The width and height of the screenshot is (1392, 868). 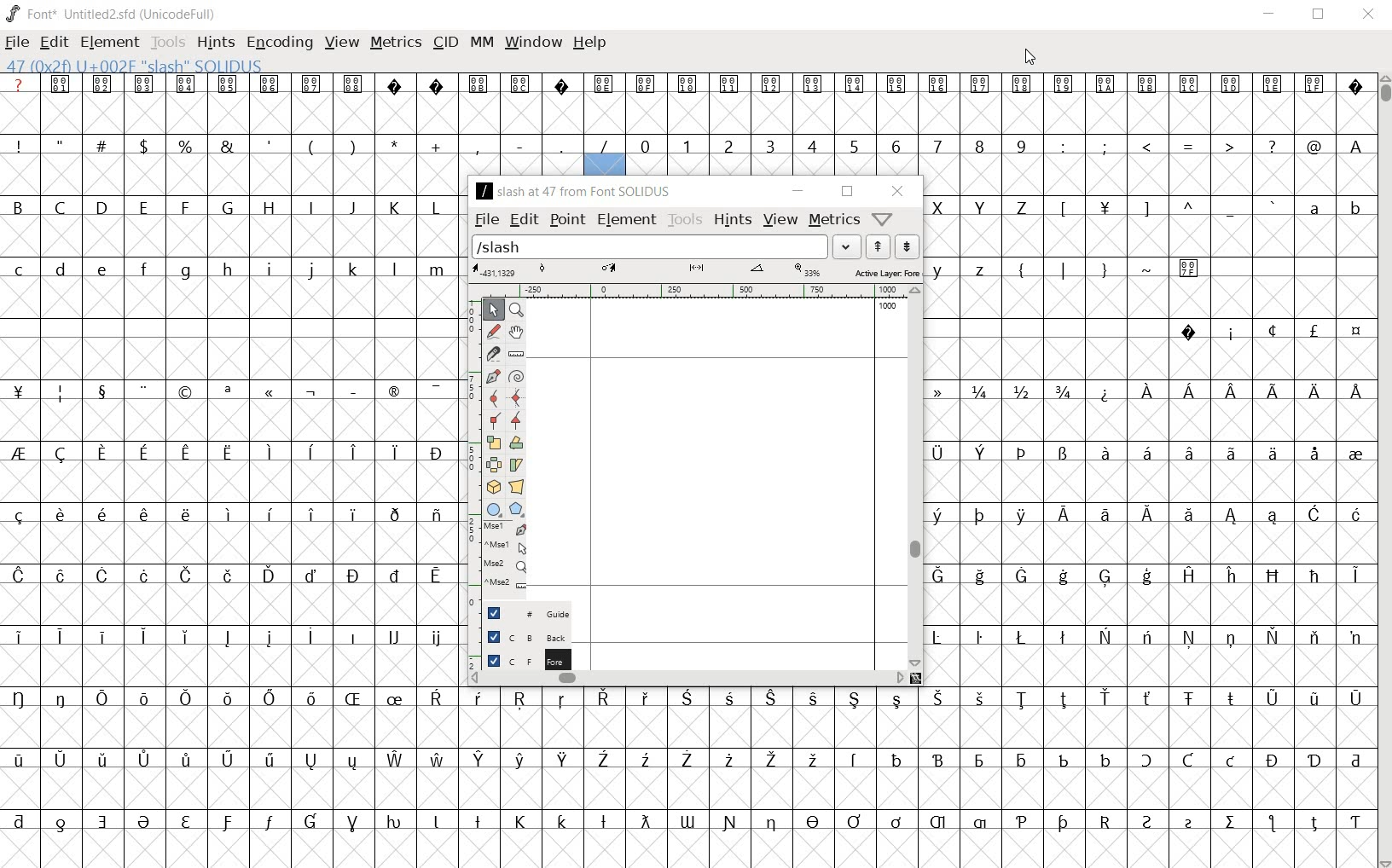 What do you see at coordinates (884, 218) in the screenshot?
I see `Help/Window` at bounding box center [884, 218].